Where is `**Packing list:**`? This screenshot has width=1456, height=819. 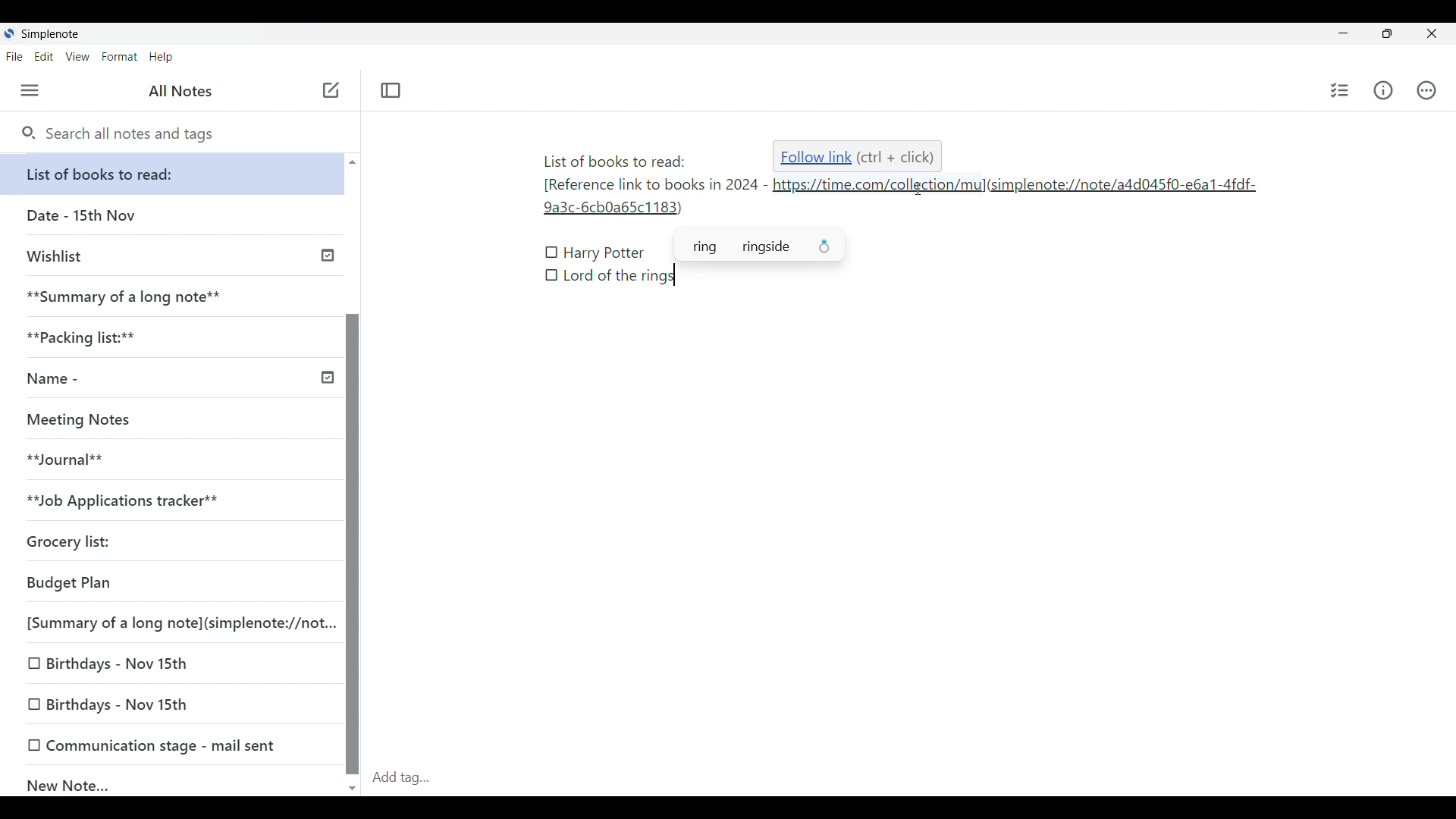 **Packing list:** is located at coordinates (174, 337).